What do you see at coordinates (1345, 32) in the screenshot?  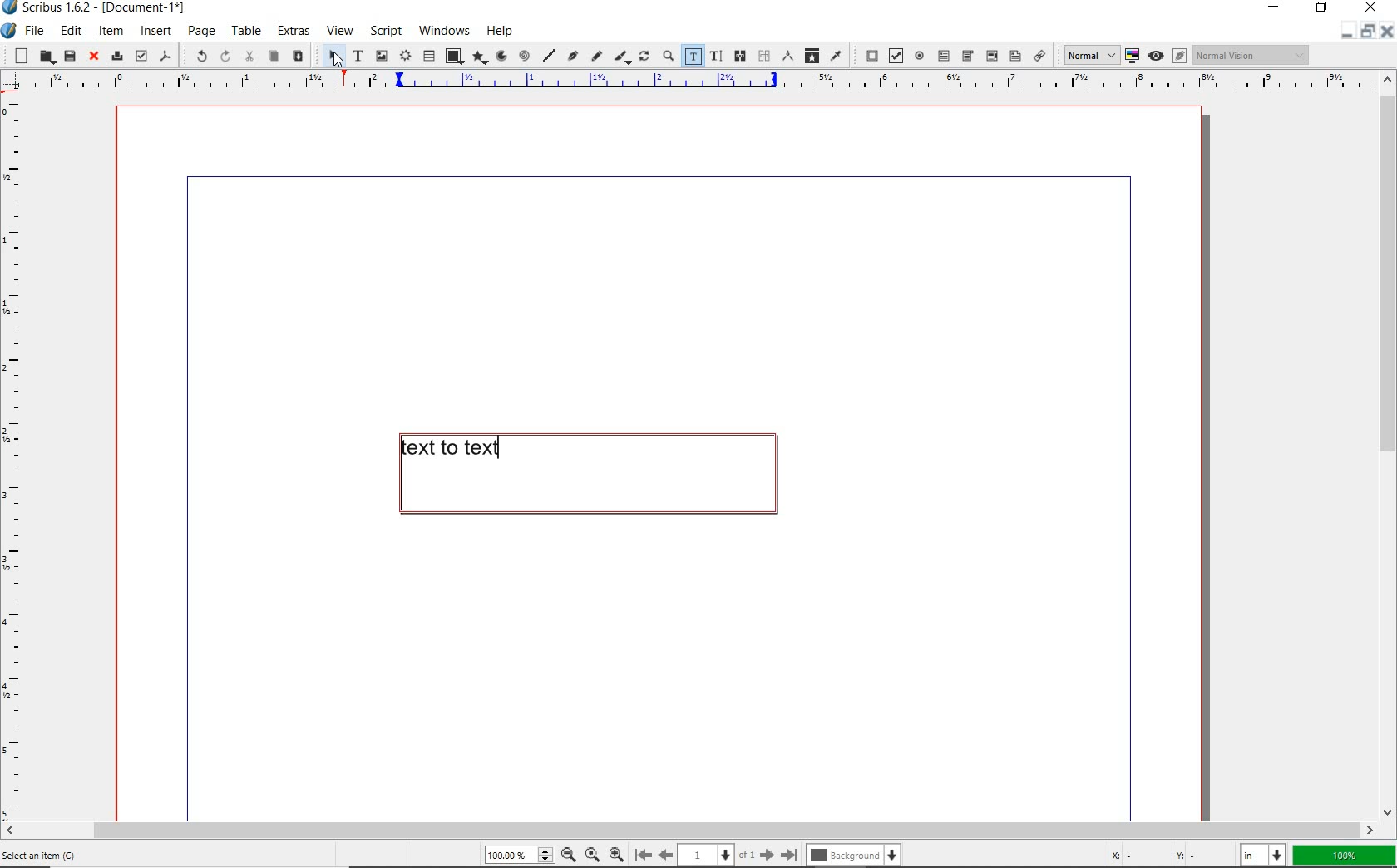 I see `Restore down` at bounding box center [1345, 32].